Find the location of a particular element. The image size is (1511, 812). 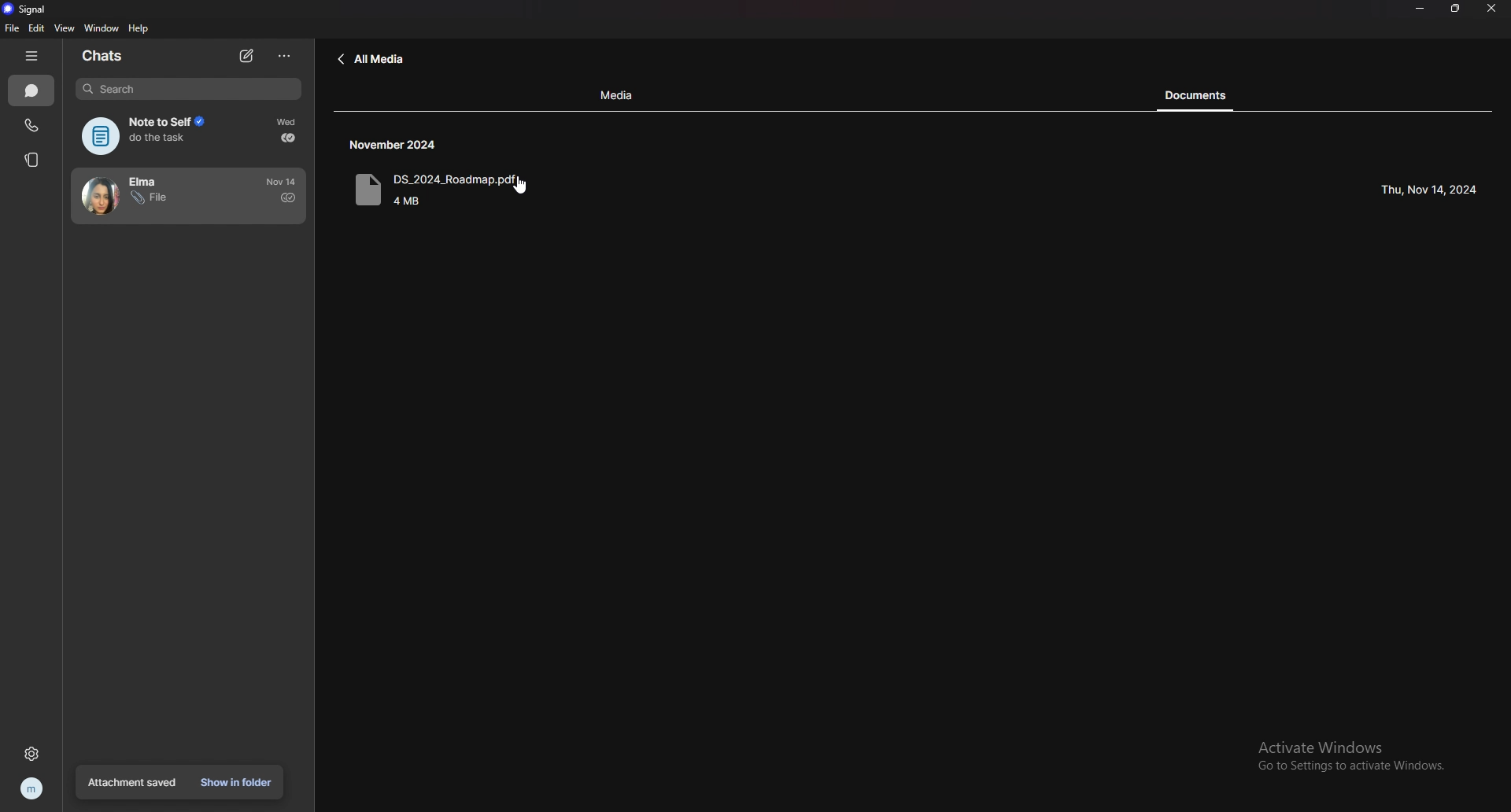

resize is located at coordinates (1457, 8).